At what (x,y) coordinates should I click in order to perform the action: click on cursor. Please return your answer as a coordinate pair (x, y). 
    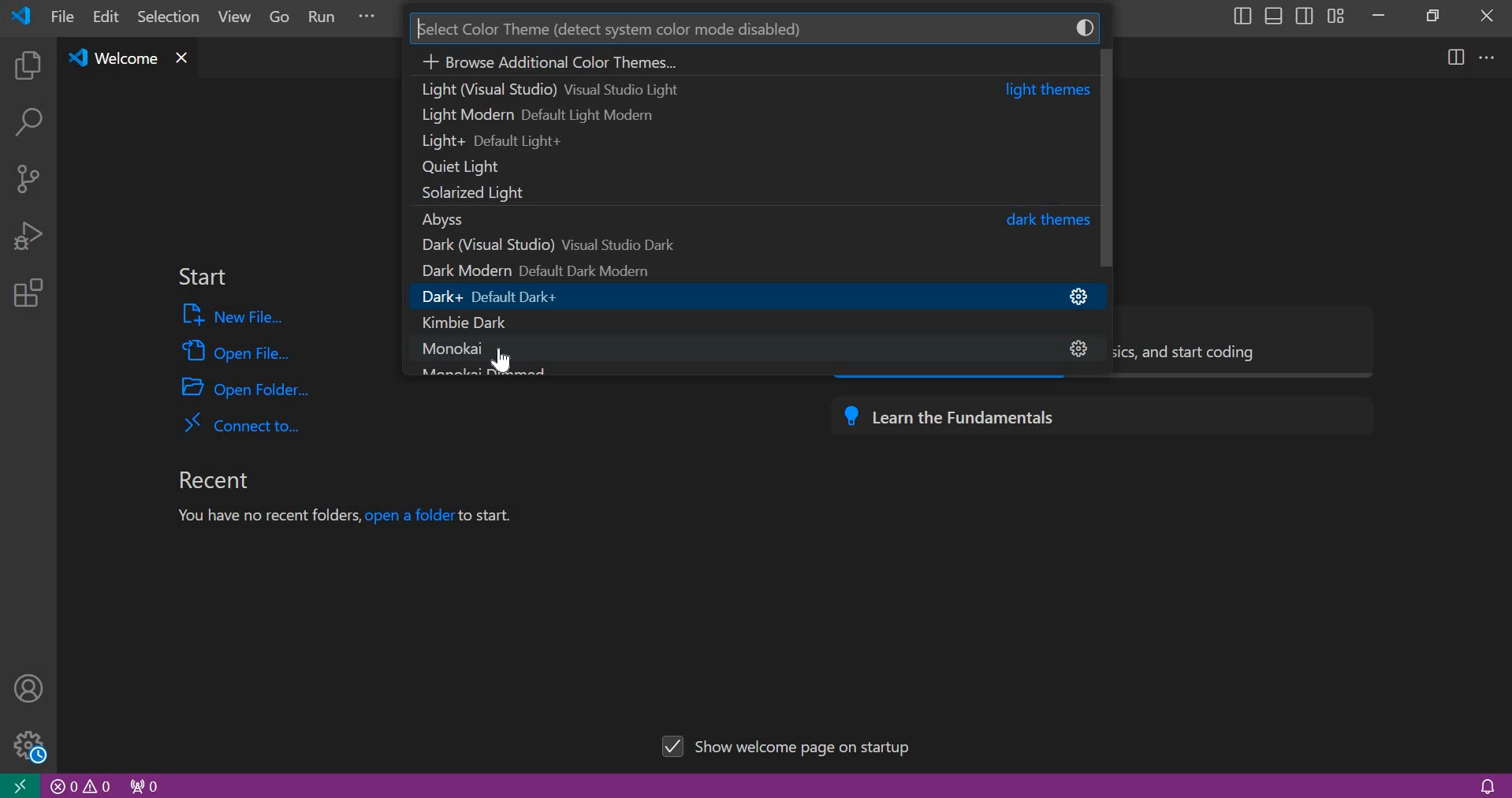
    Looking at the image, I should click on (505, 357).